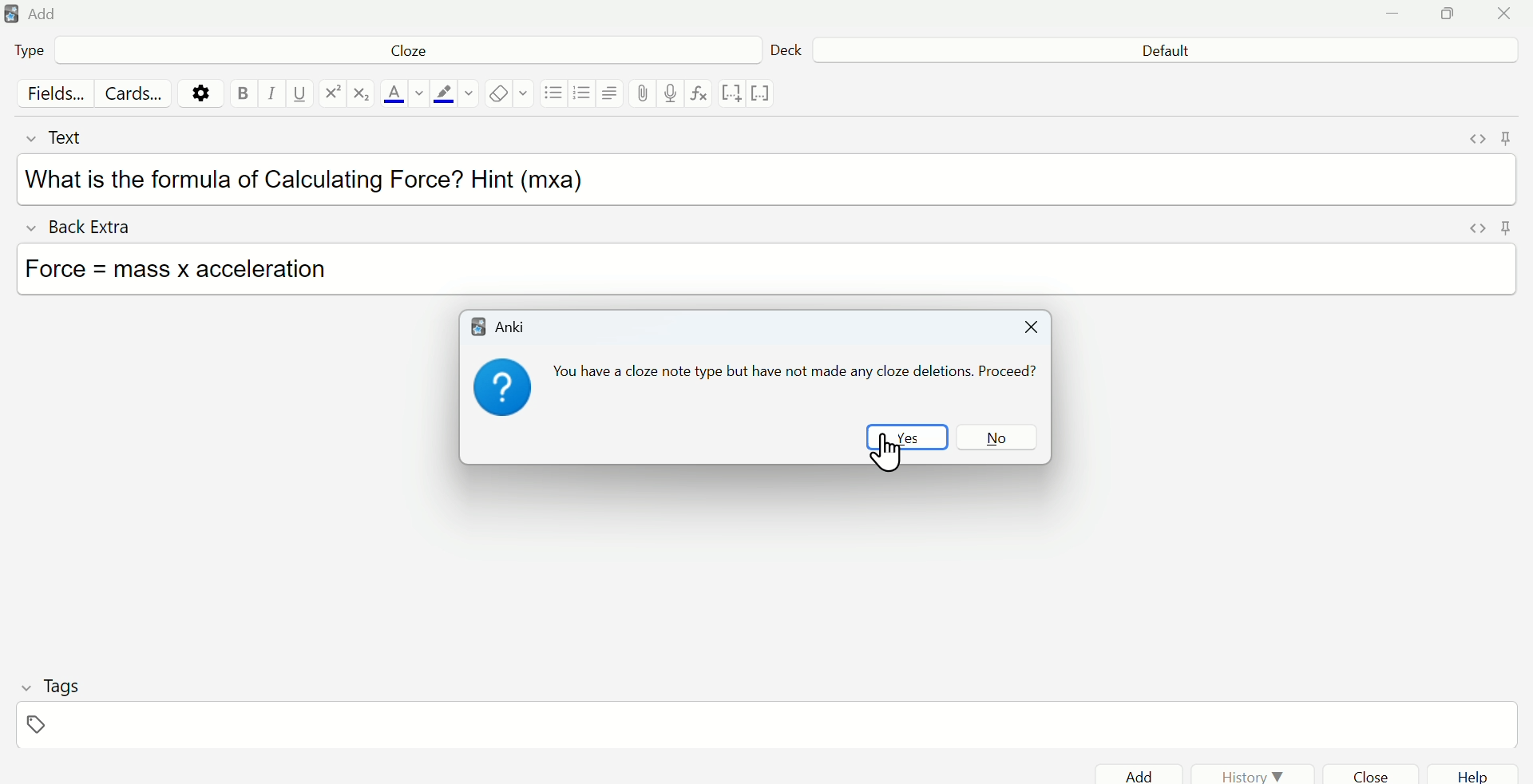 The width and height of the screenshot is (1533, 784). I want to click on Cloze, so click(402, 53).